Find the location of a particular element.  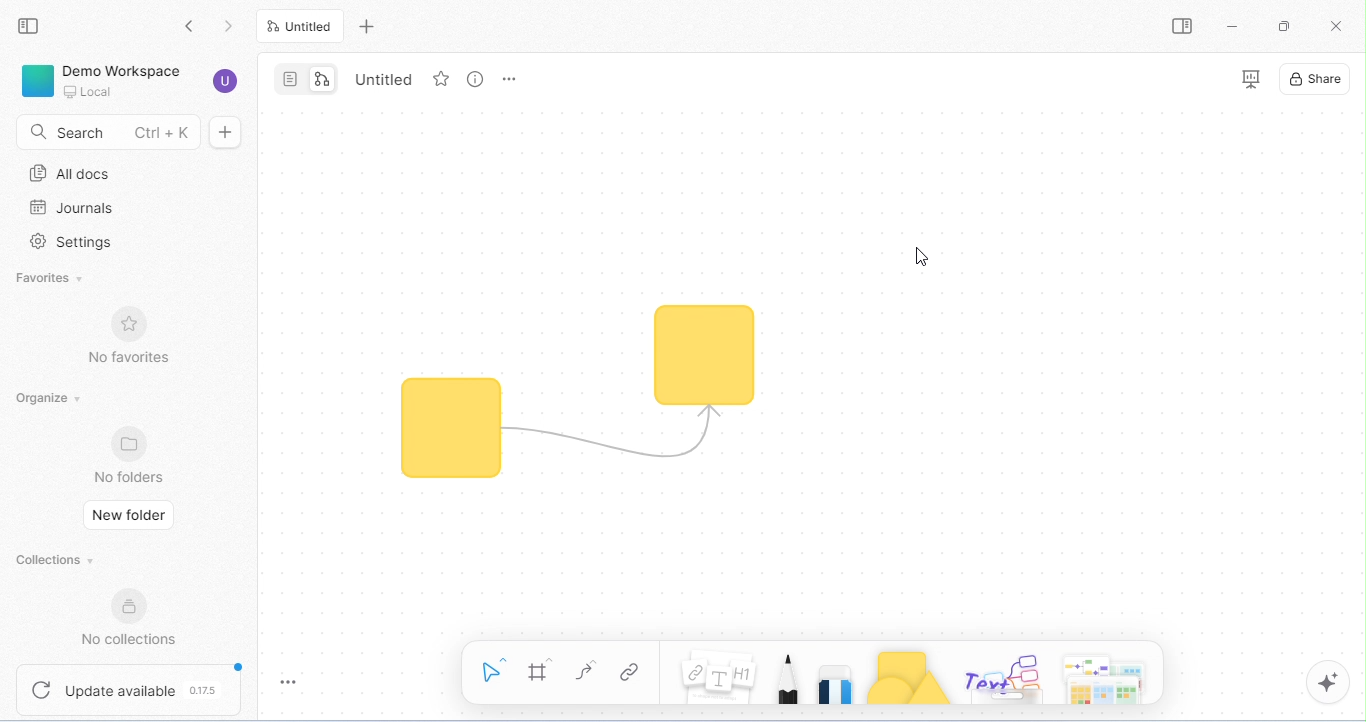

rename and more is located at coordinates (508, 78).